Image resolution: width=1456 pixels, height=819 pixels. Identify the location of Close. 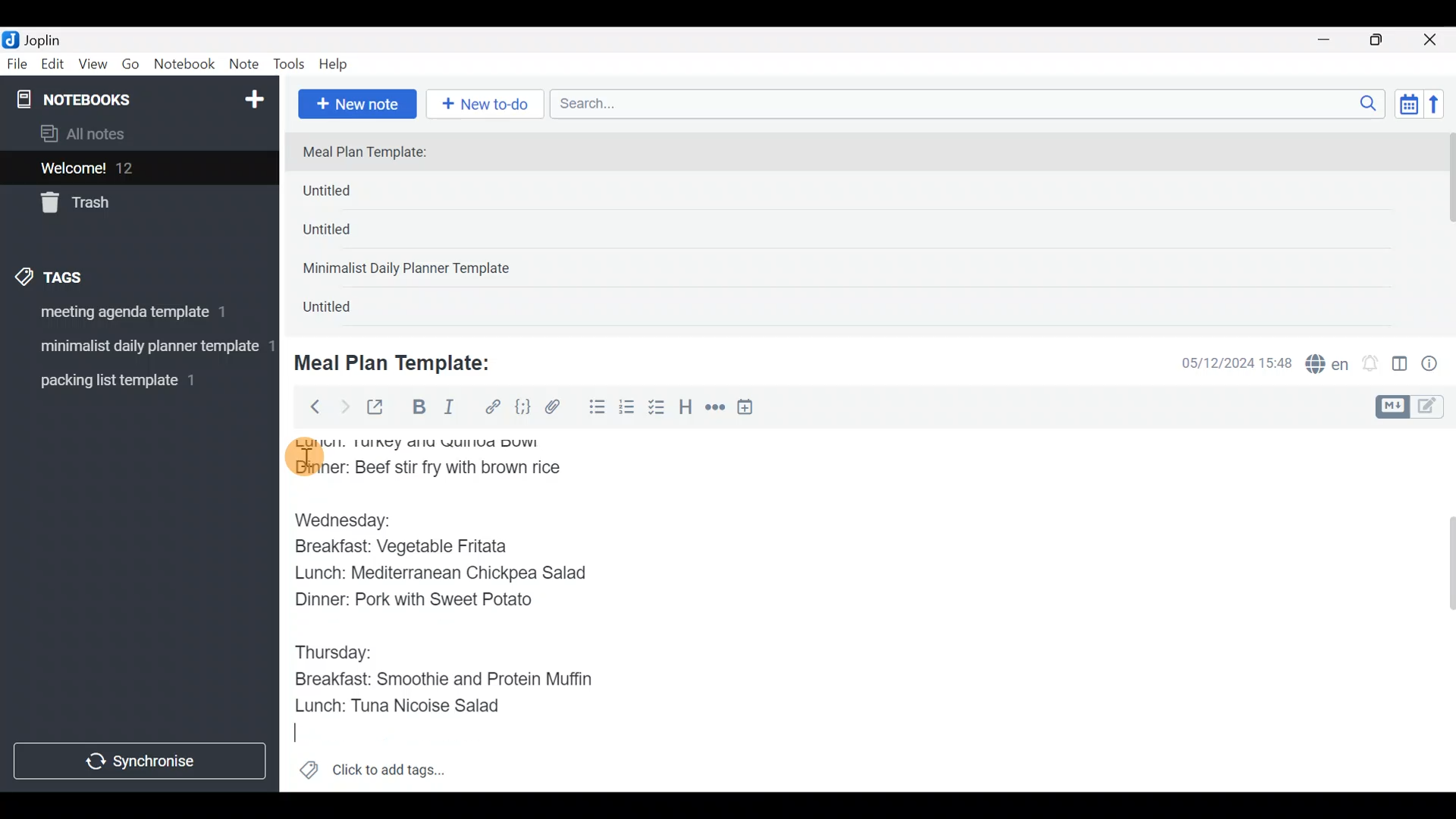
(1432, 41).